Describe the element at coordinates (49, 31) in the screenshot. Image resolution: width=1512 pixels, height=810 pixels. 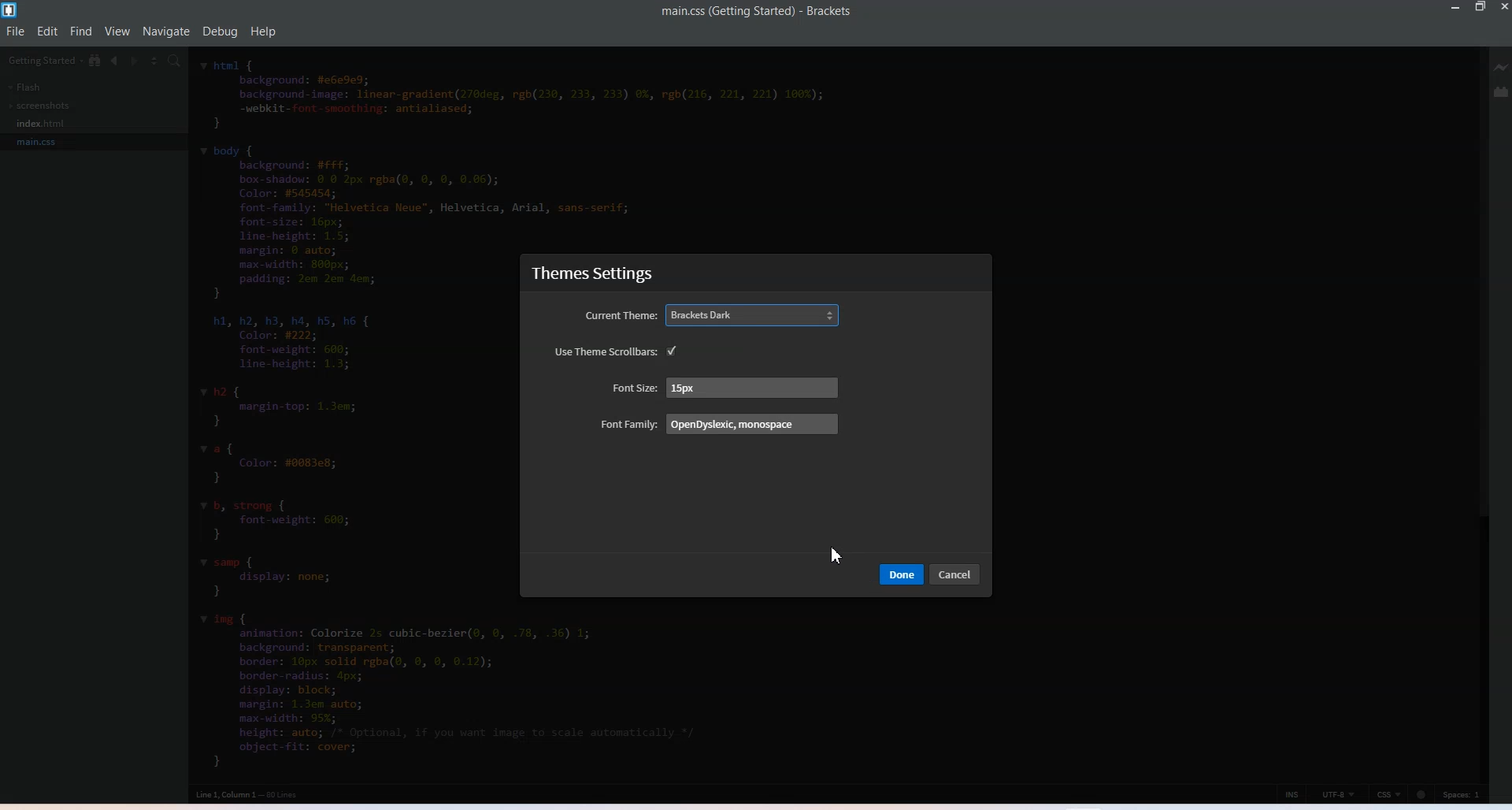
I see `Edit` at that location.